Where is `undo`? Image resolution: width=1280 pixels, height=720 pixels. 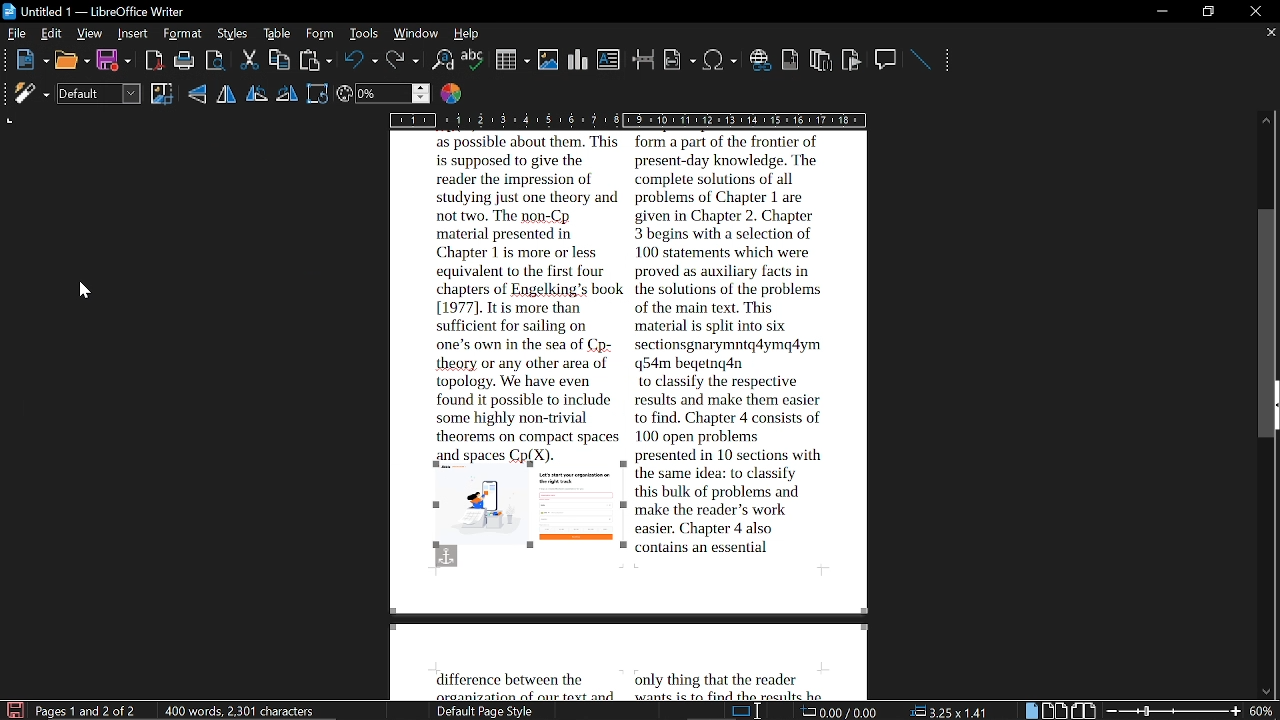 undo is located at coordinates (359, 59).